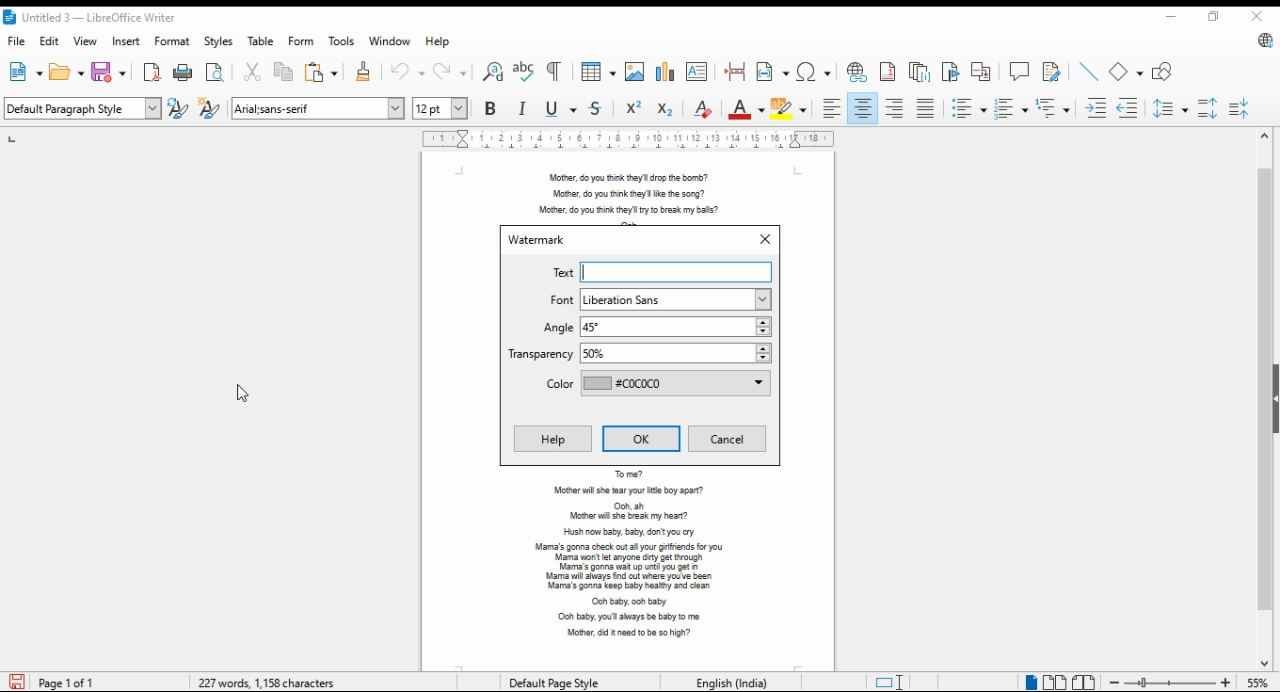 This screenshot has width=1280, height=692. Describe the element at coordinates (51, 43) in the screenshot. I see `edit` at that location.